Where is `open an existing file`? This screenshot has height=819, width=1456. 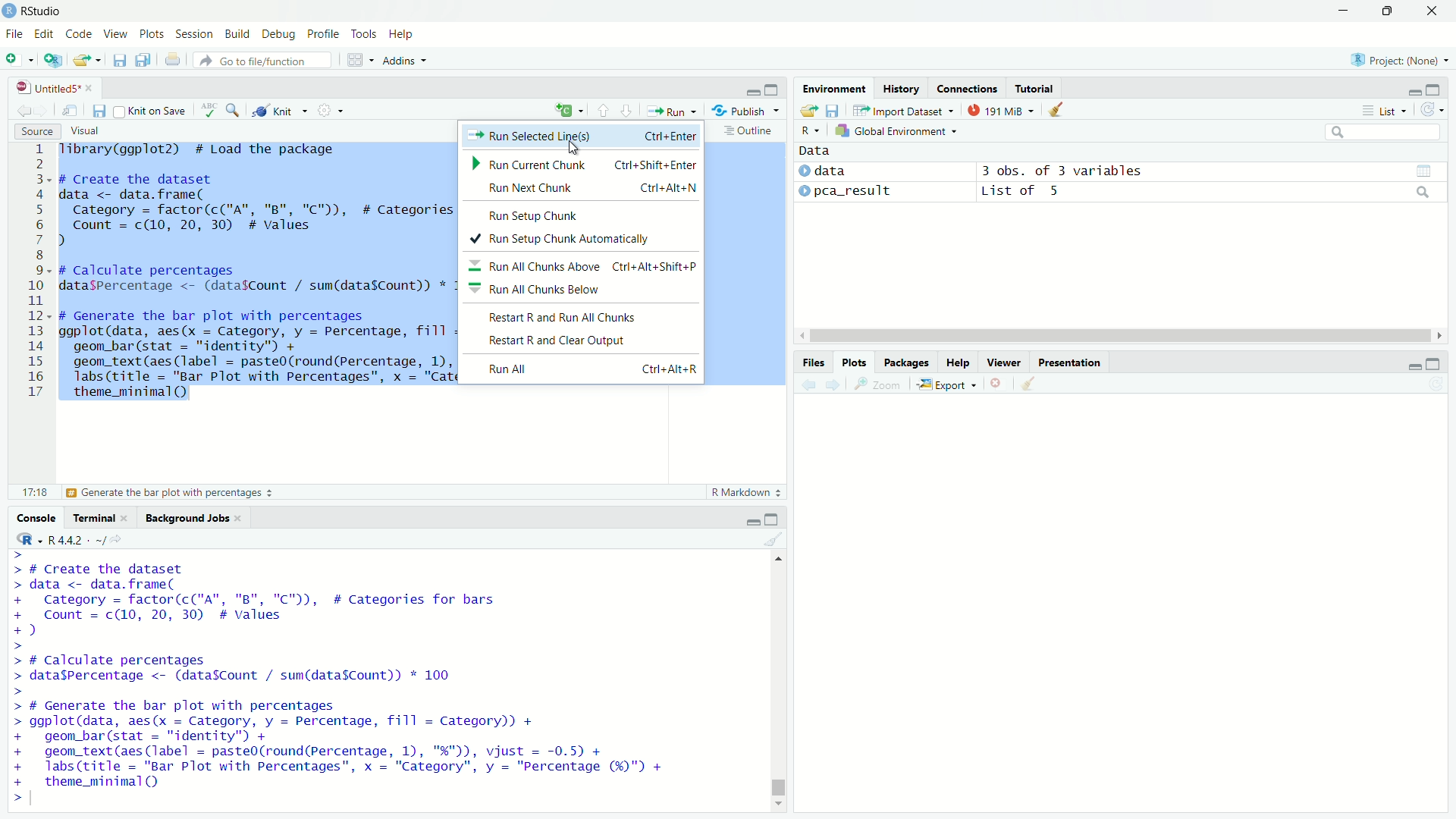
open an existing file is located at coordinates (86, 60).